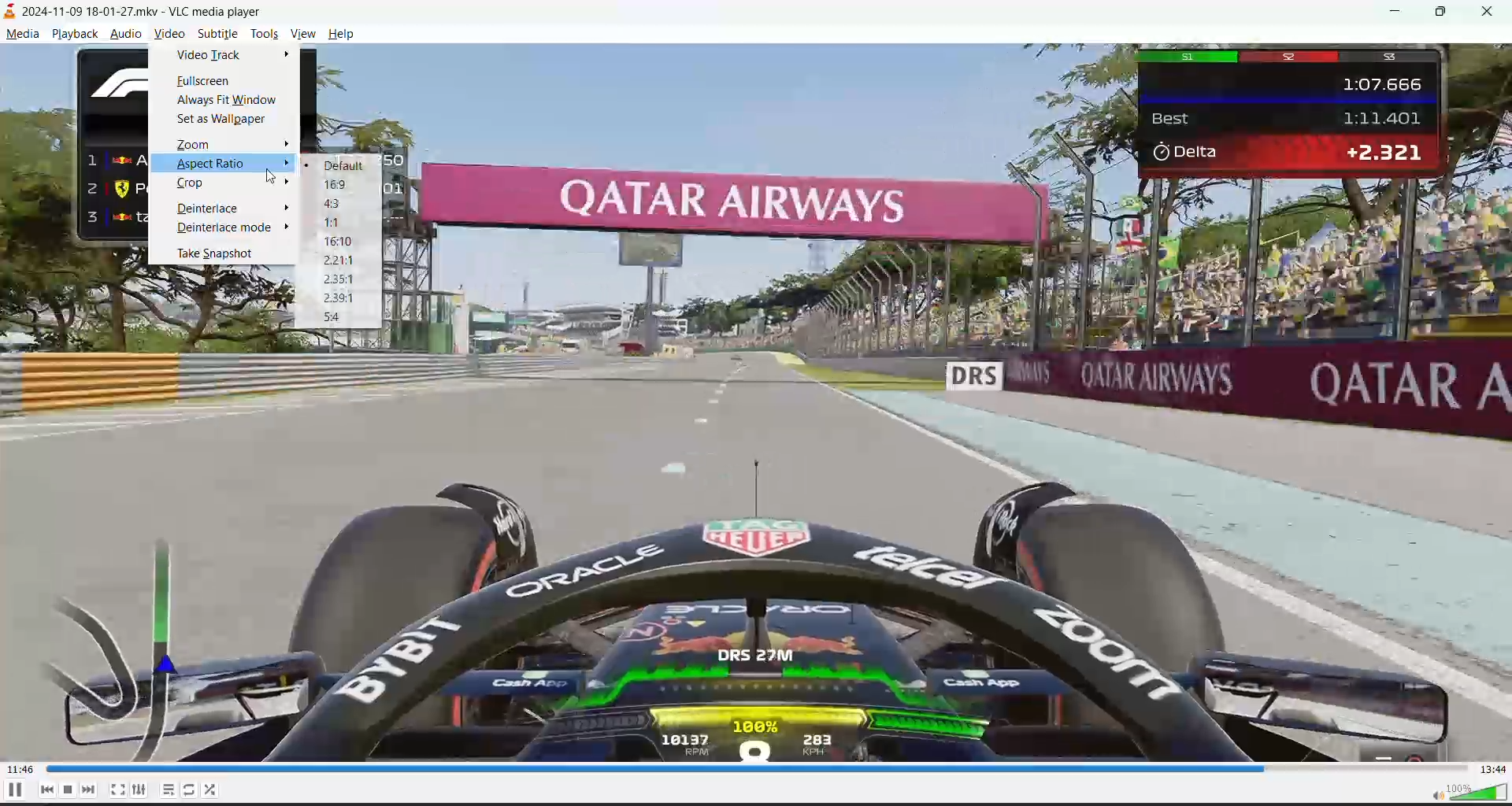  Describe the element at coordinates (227, 120) in the screenshot. I see `set as wallpaper` at that location.